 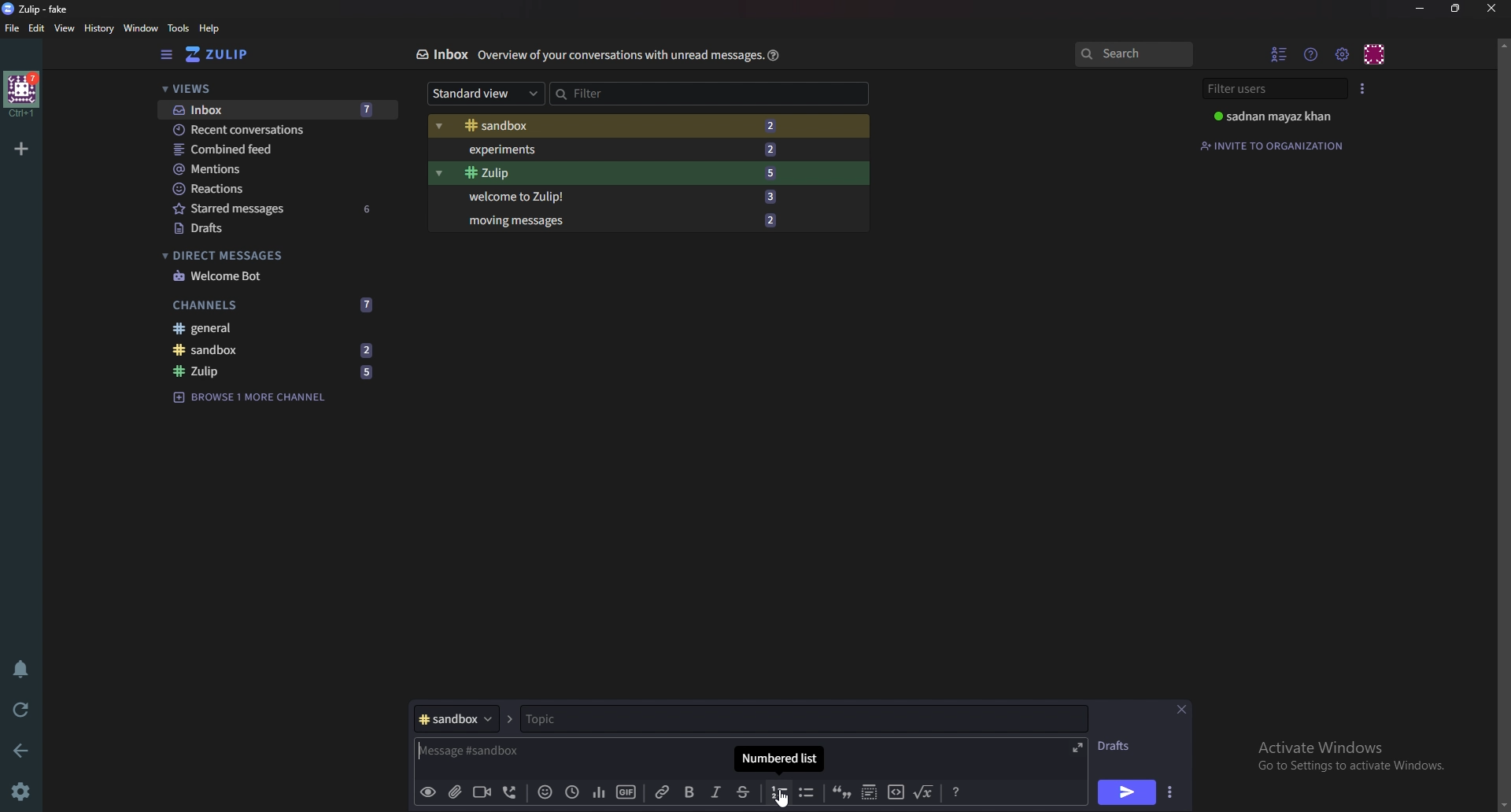 What do you see at coordinates (1343, 54) in the screenshot?
I see `main menu` at bounding box center [1343, 54].